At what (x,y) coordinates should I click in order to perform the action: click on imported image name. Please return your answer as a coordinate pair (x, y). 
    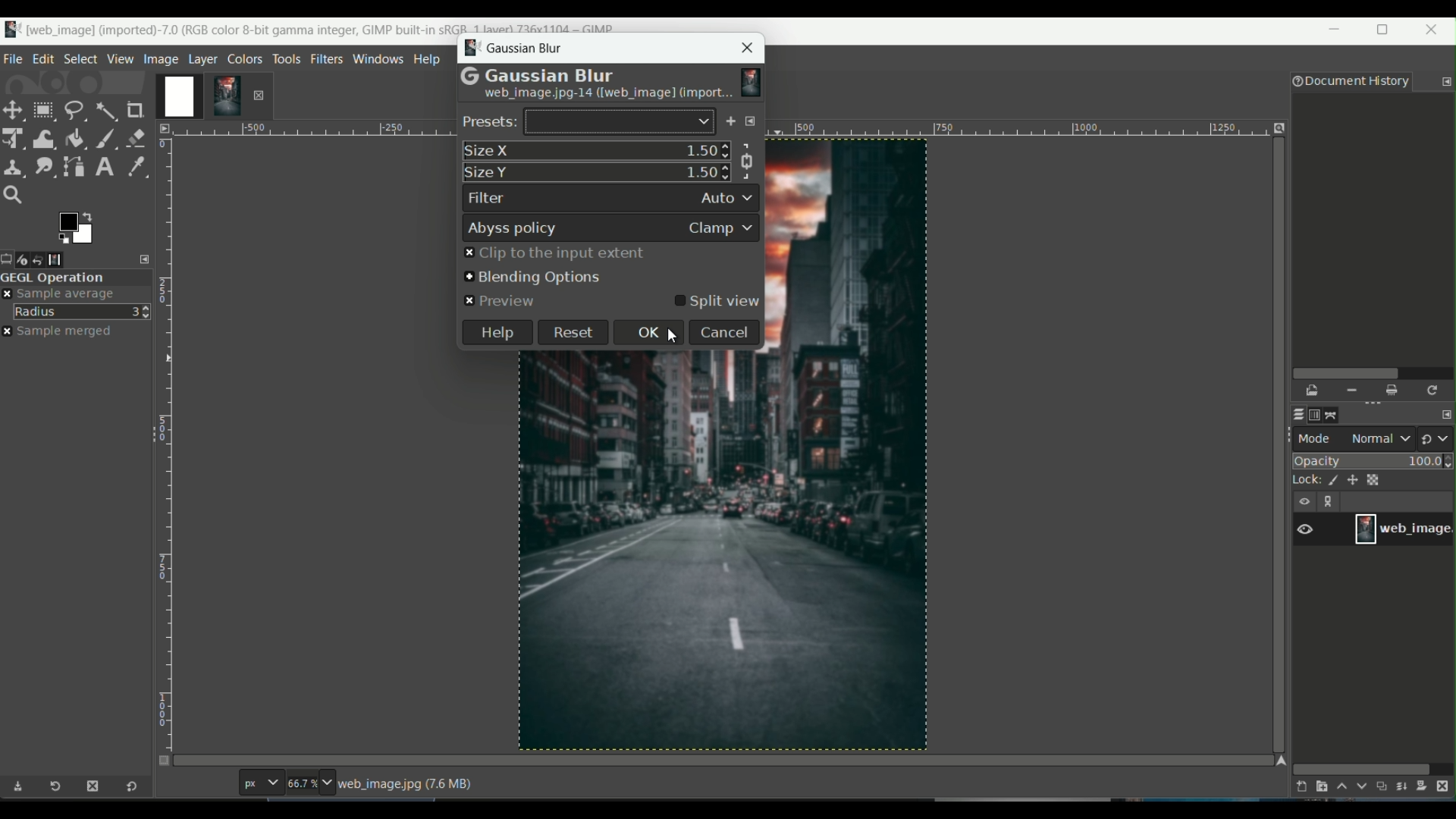
    Looking at the image, I should click on (607, 96).